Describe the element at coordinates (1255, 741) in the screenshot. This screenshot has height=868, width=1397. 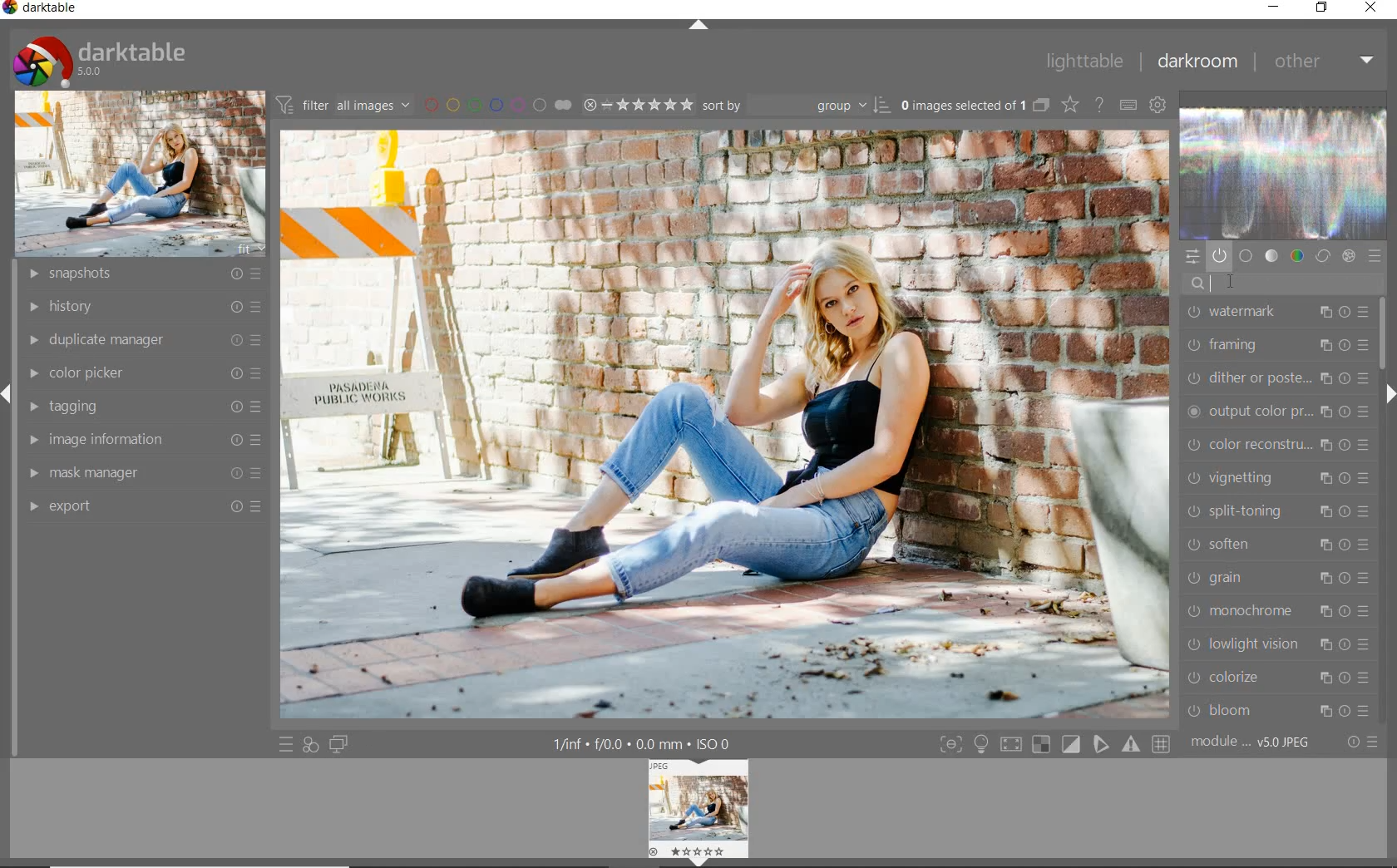
I see `module order` at that location.